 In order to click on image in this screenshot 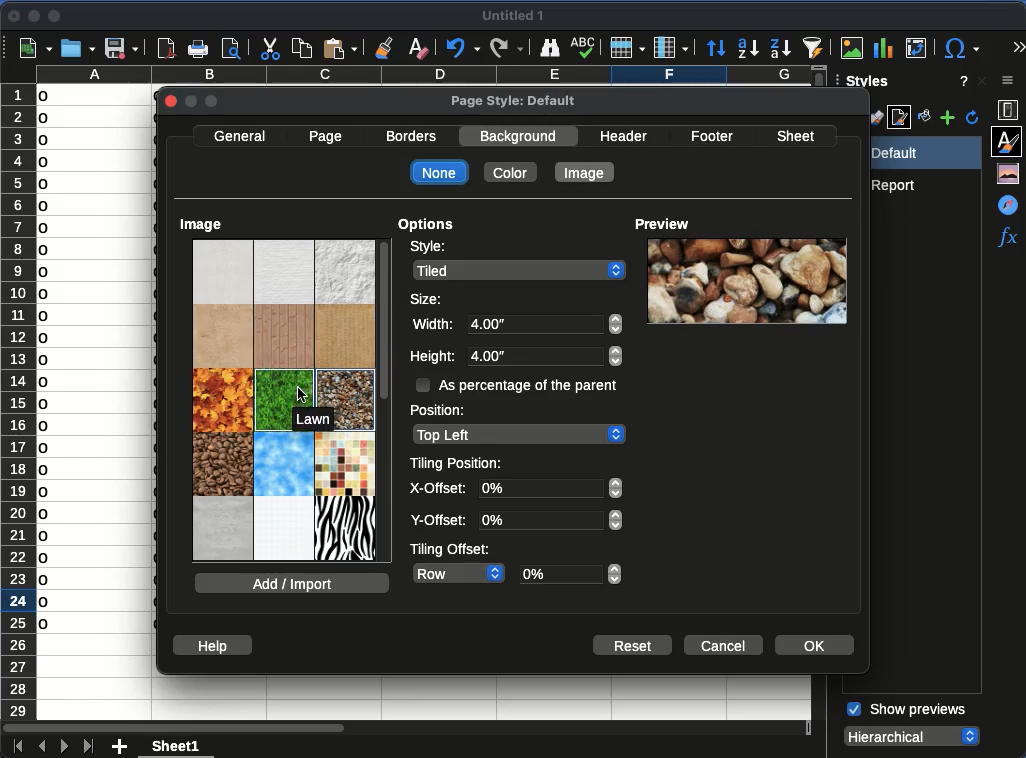, I will do `click(748, 281)`.